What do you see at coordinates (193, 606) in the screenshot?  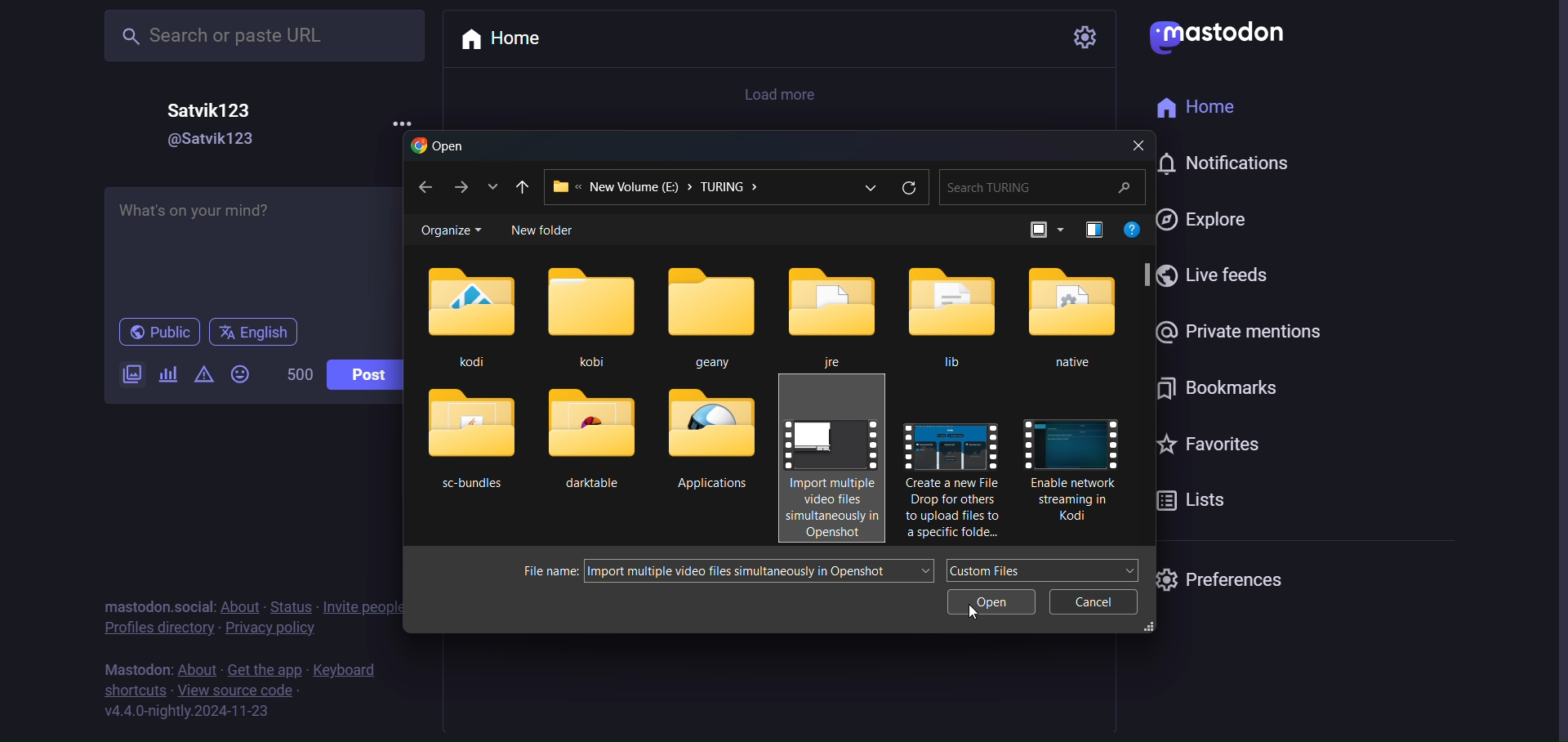 I see `social` at bounding box center [193, 606].